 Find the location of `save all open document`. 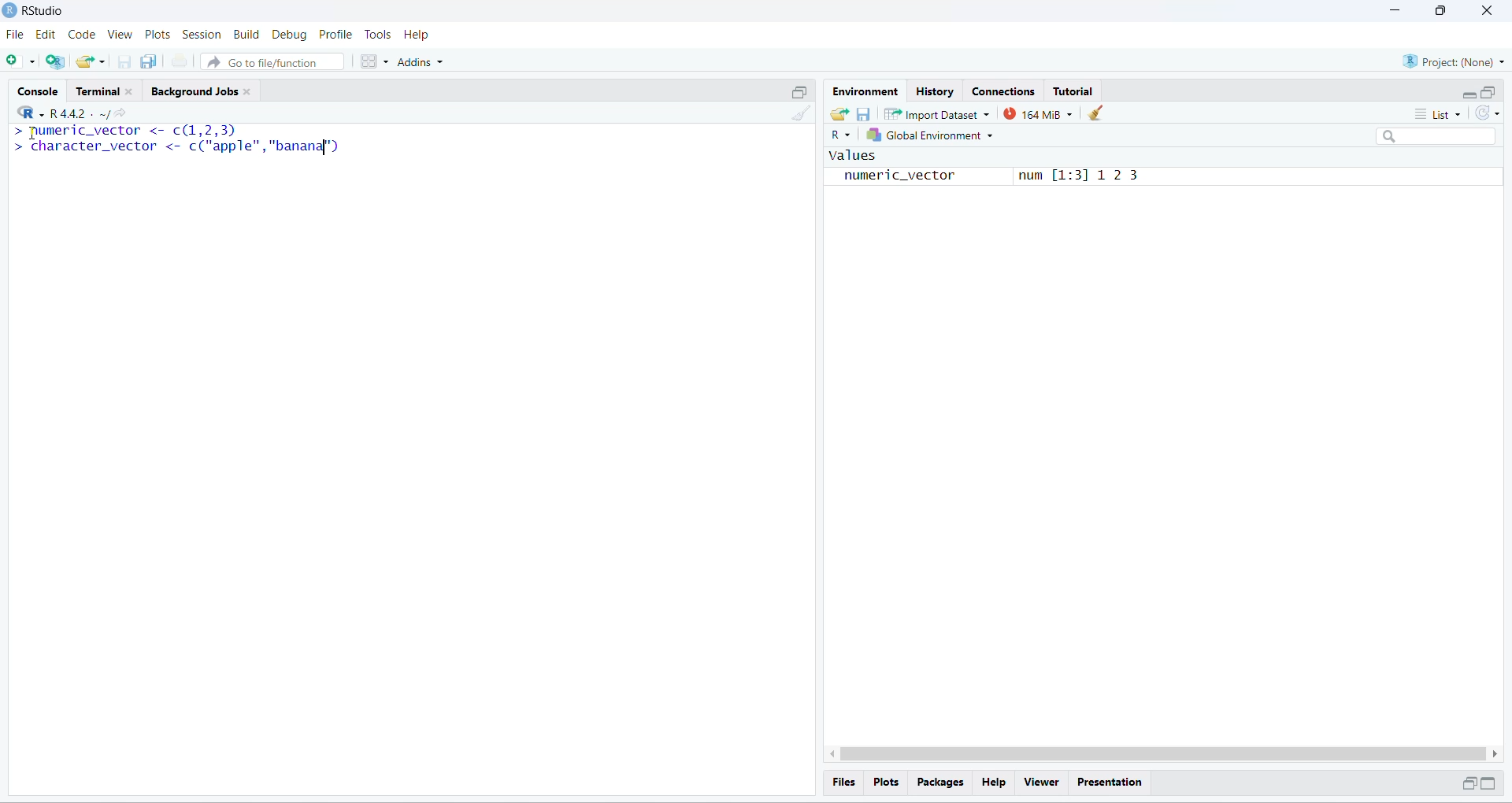

save all open document is located at coordinates (150, 61).